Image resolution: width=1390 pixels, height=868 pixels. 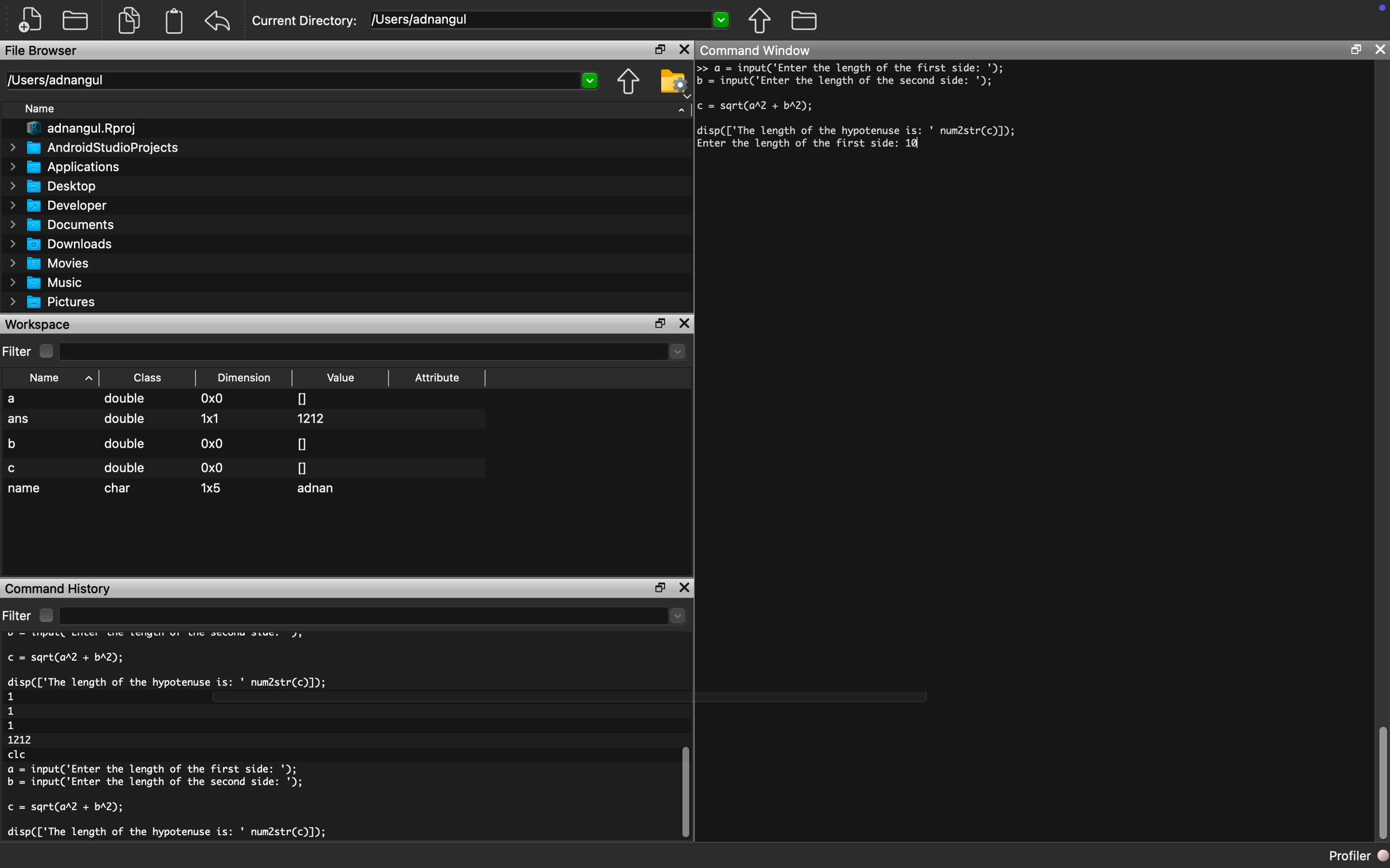 What do you see at coordinates (148, 377) in the screenshot?
I see `Class` at bounding box center [148, 377].